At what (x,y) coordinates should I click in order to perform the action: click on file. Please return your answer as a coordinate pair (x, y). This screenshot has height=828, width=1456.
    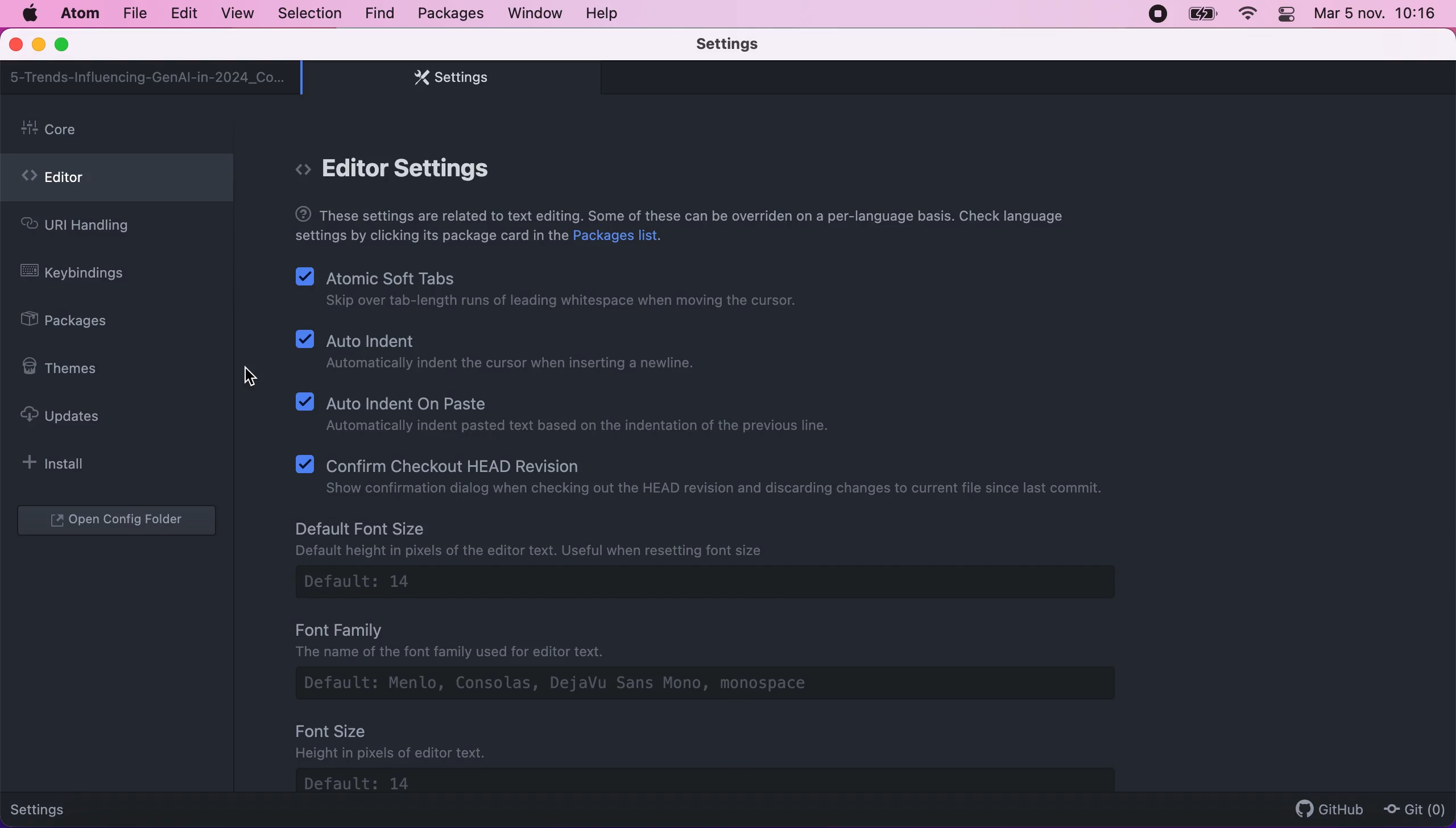
    Looking at the image, I should click on (134, 14).